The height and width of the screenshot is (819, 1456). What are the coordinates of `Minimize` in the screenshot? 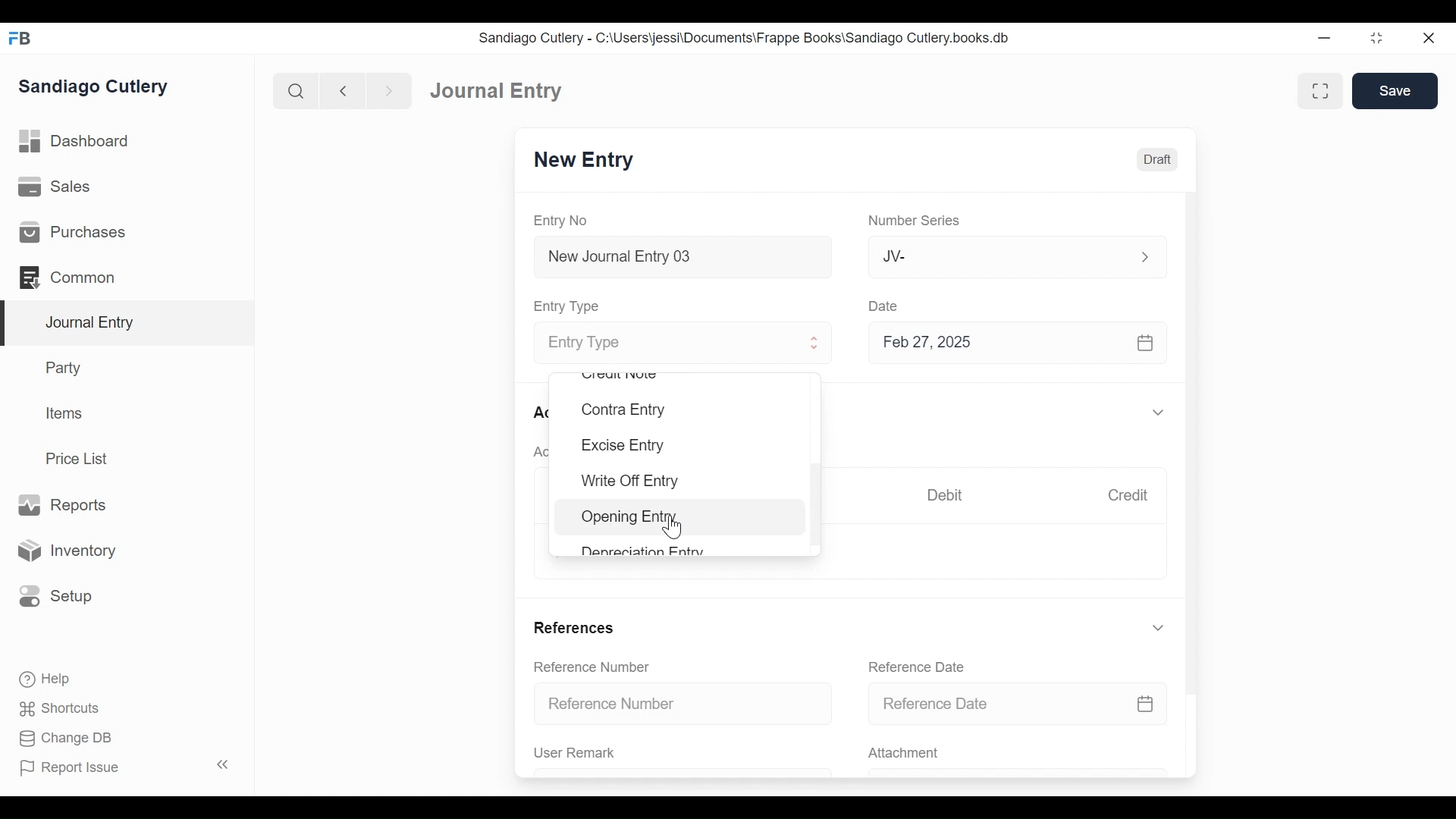 It's located at (1326, 37).